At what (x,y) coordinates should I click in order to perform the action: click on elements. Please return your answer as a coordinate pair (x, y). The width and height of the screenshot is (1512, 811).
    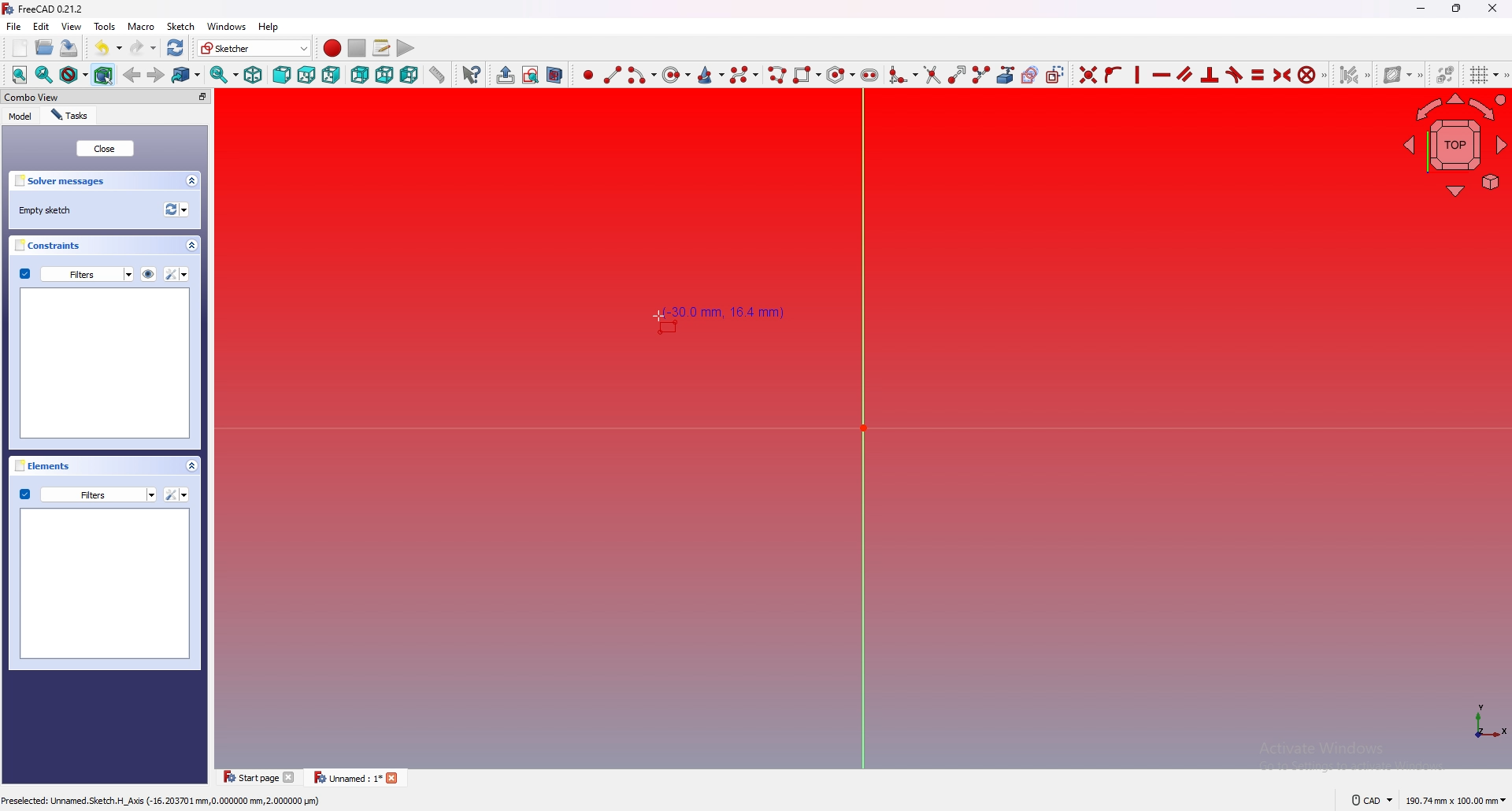
    Looking at the image, I should click on (39, 465).